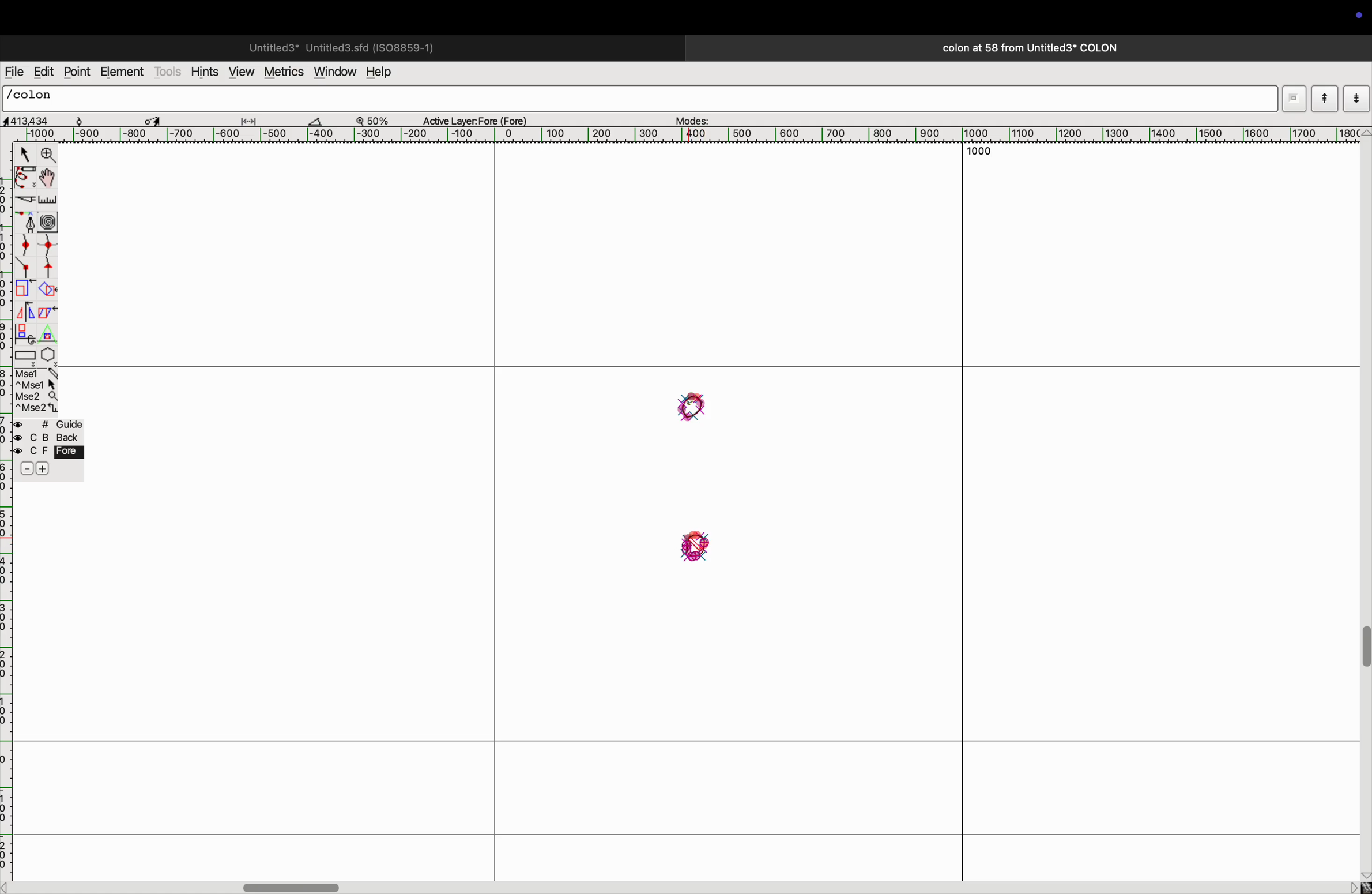 Image resolution: width=1372 pixels, height=894 pixels. Describe the element at coordinates (378, 119) in the screenshot. I see `zoom` at that location.